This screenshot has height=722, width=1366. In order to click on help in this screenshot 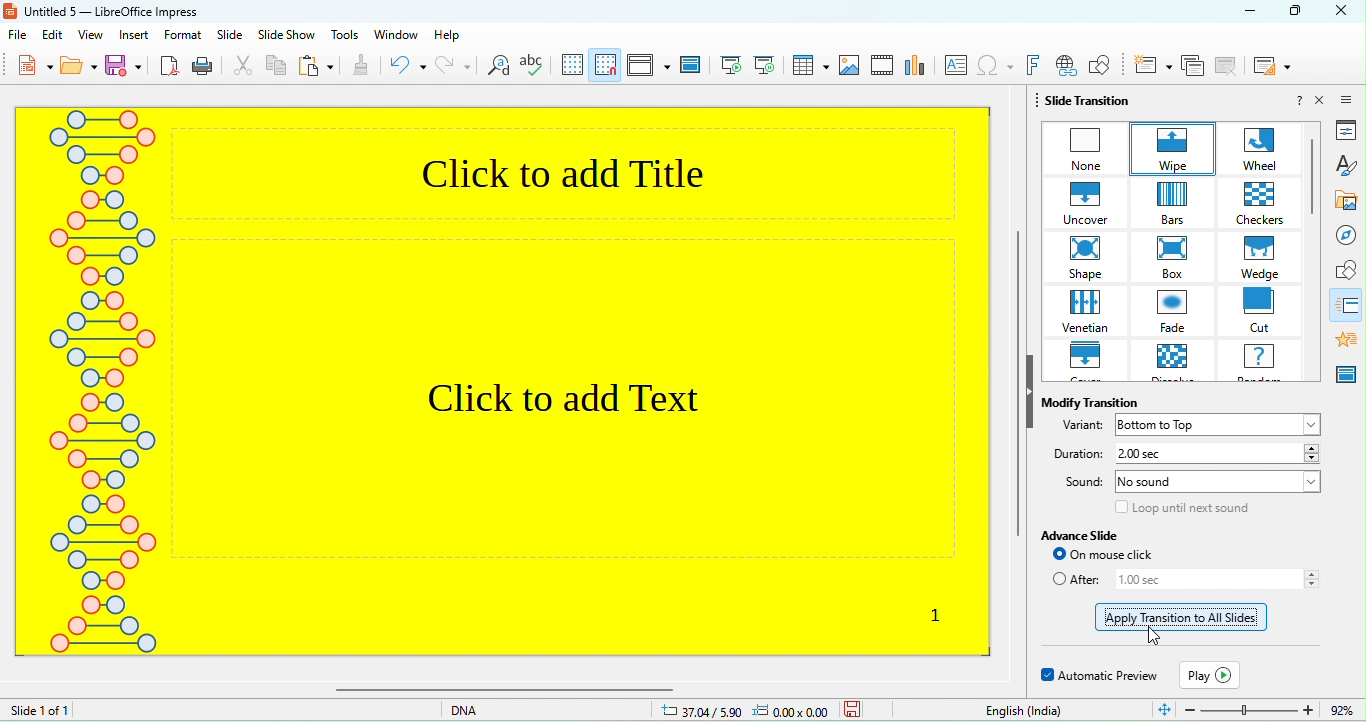, I will do `click(461, 37)`.